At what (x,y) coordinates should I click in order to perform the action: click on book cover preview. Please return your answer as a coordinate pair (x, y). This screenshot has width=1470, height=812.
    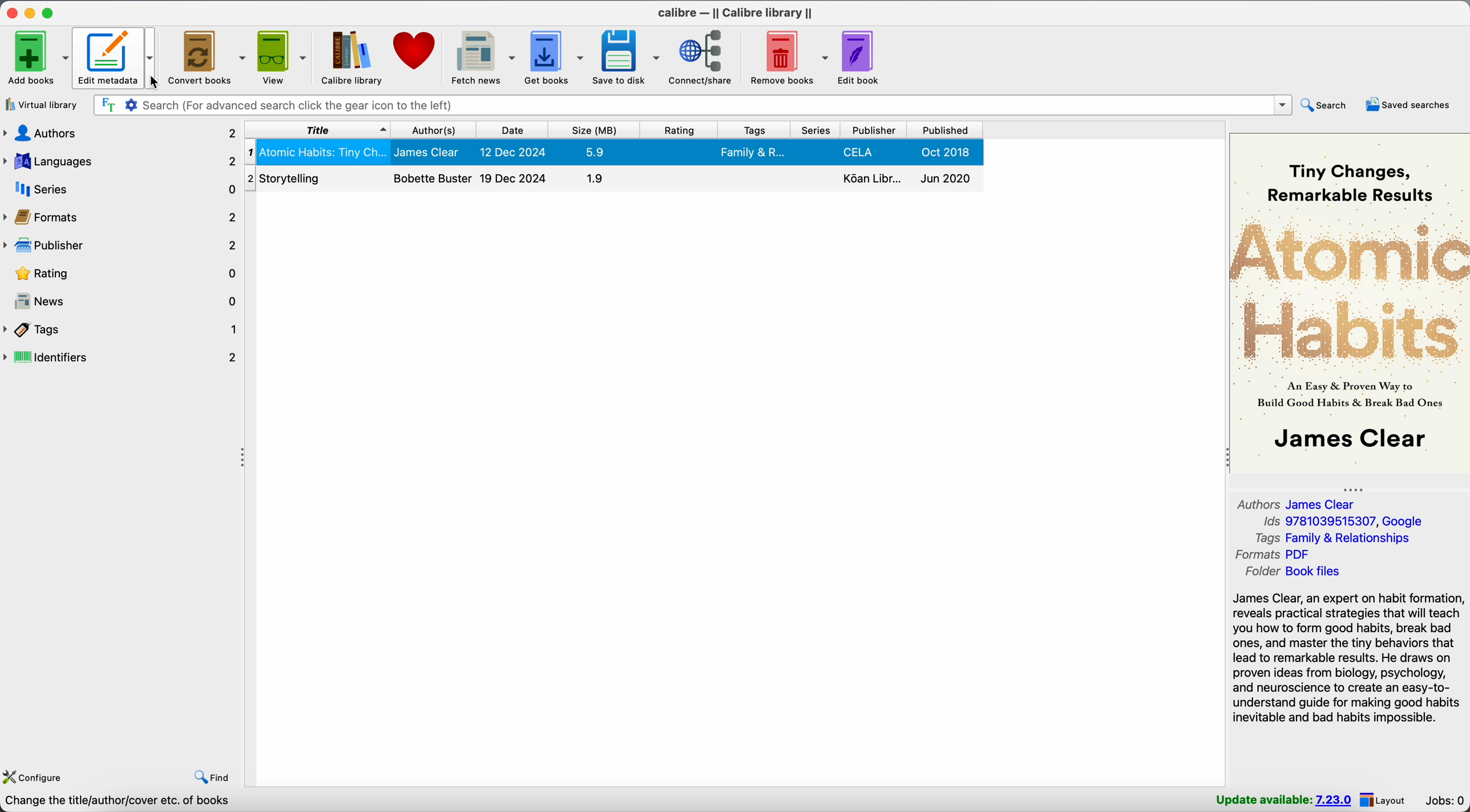
    Looking at the image, I should click on (1350, 303).